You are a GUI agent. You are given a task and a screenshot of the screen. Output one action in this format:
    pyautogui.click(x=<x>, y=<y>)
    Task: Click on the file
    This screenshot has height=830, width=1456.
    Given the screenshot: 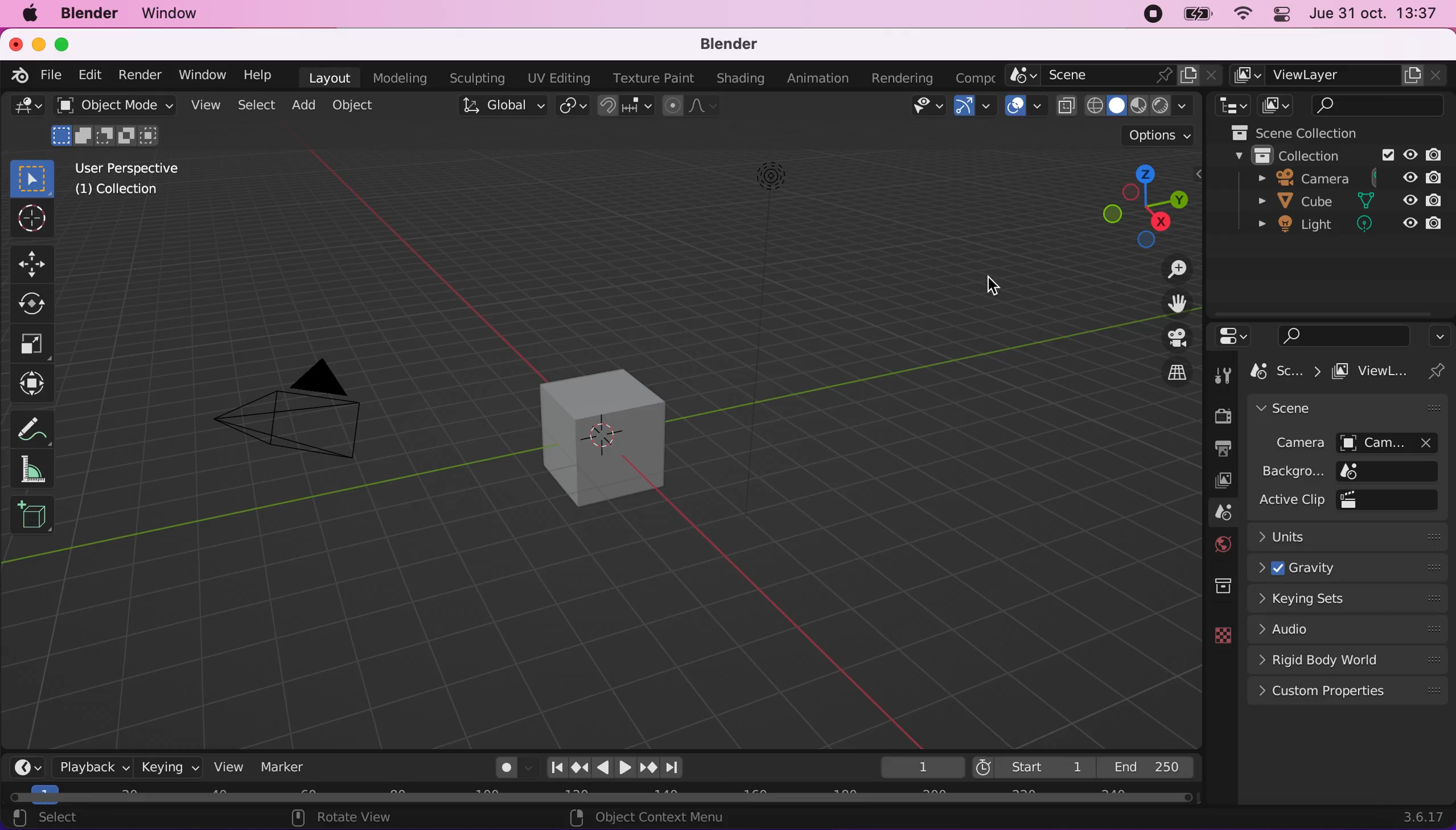 What is the action you would take?
    pyautogui.click(x=51, y=75)
    